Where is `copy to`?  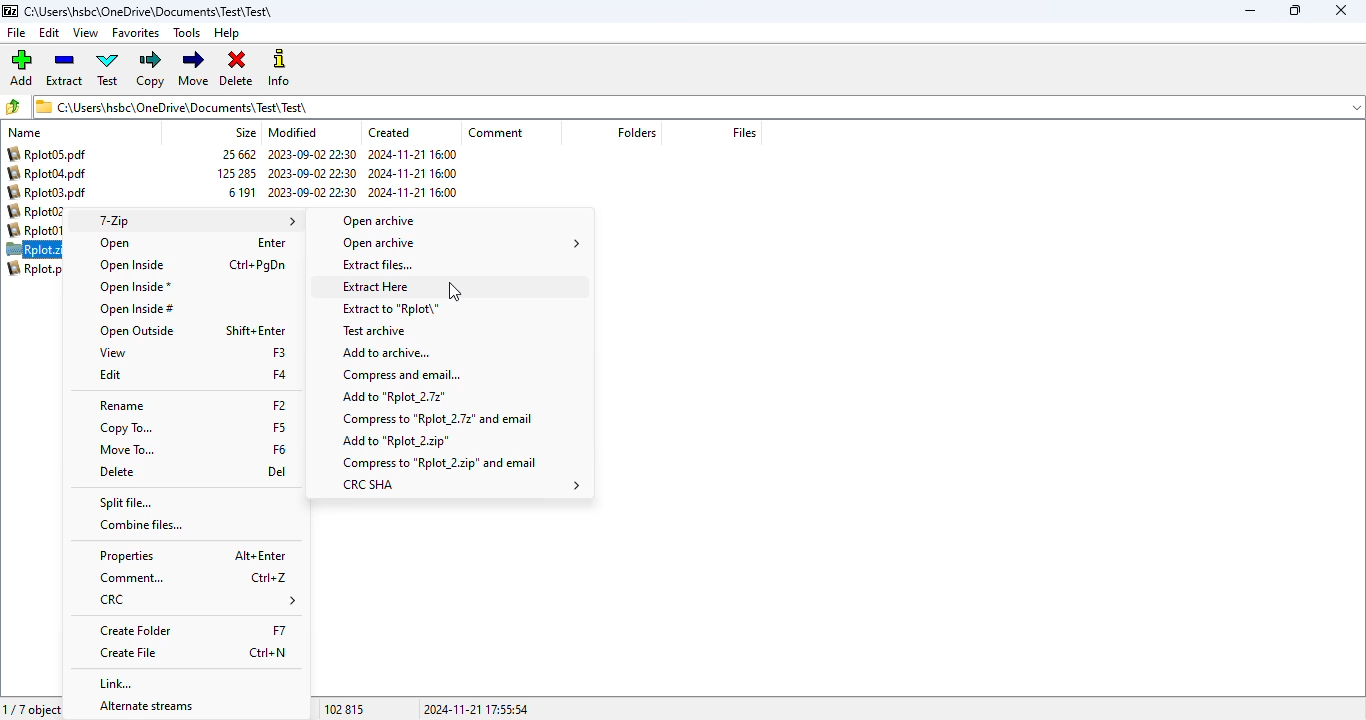
copy to is located at coordinates (125, 428).